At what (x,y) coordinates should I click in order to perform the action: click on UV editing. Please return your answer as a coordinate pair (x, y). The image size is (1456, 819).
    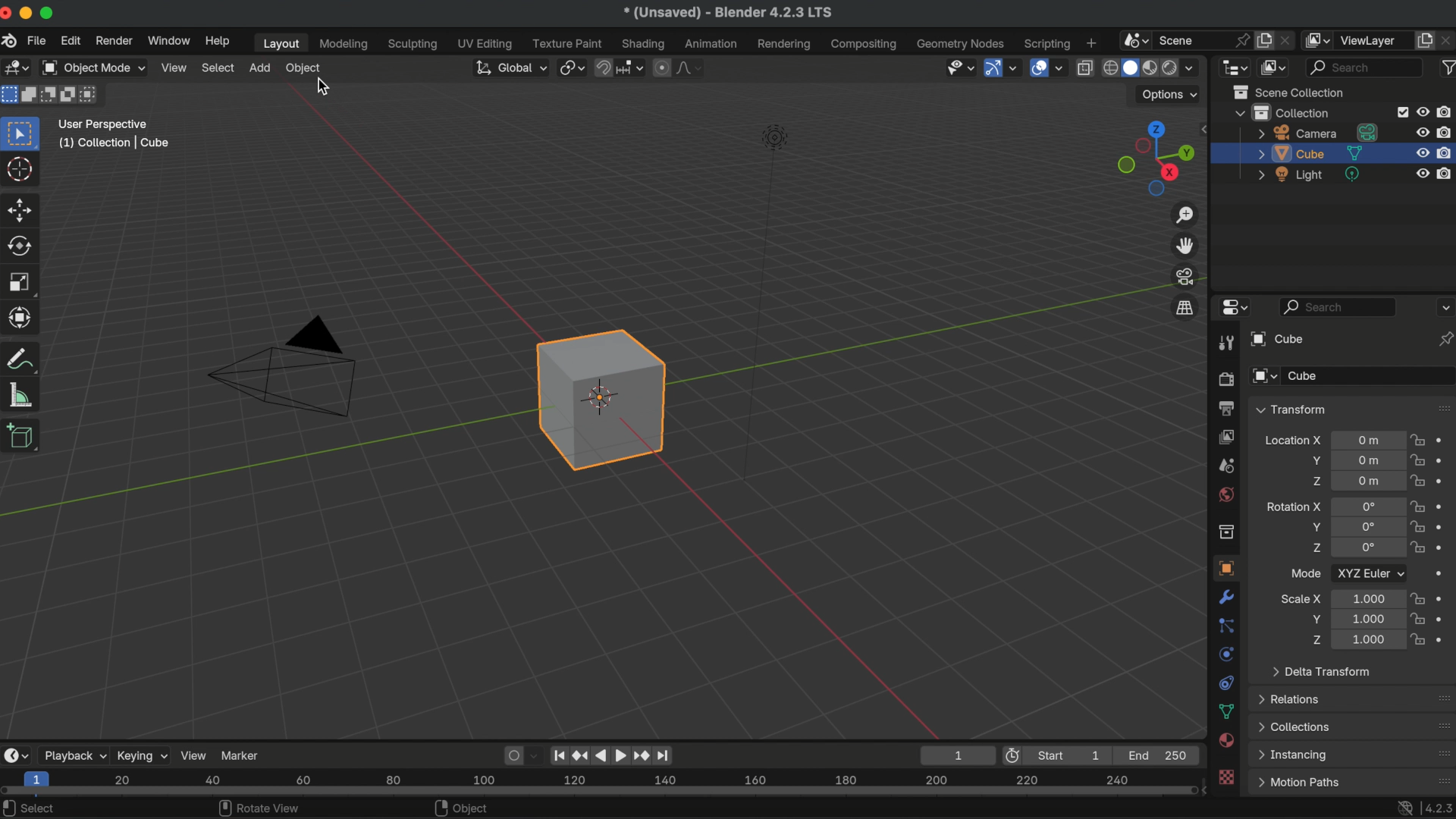
    Looking at the image, I should click on (486, 43).